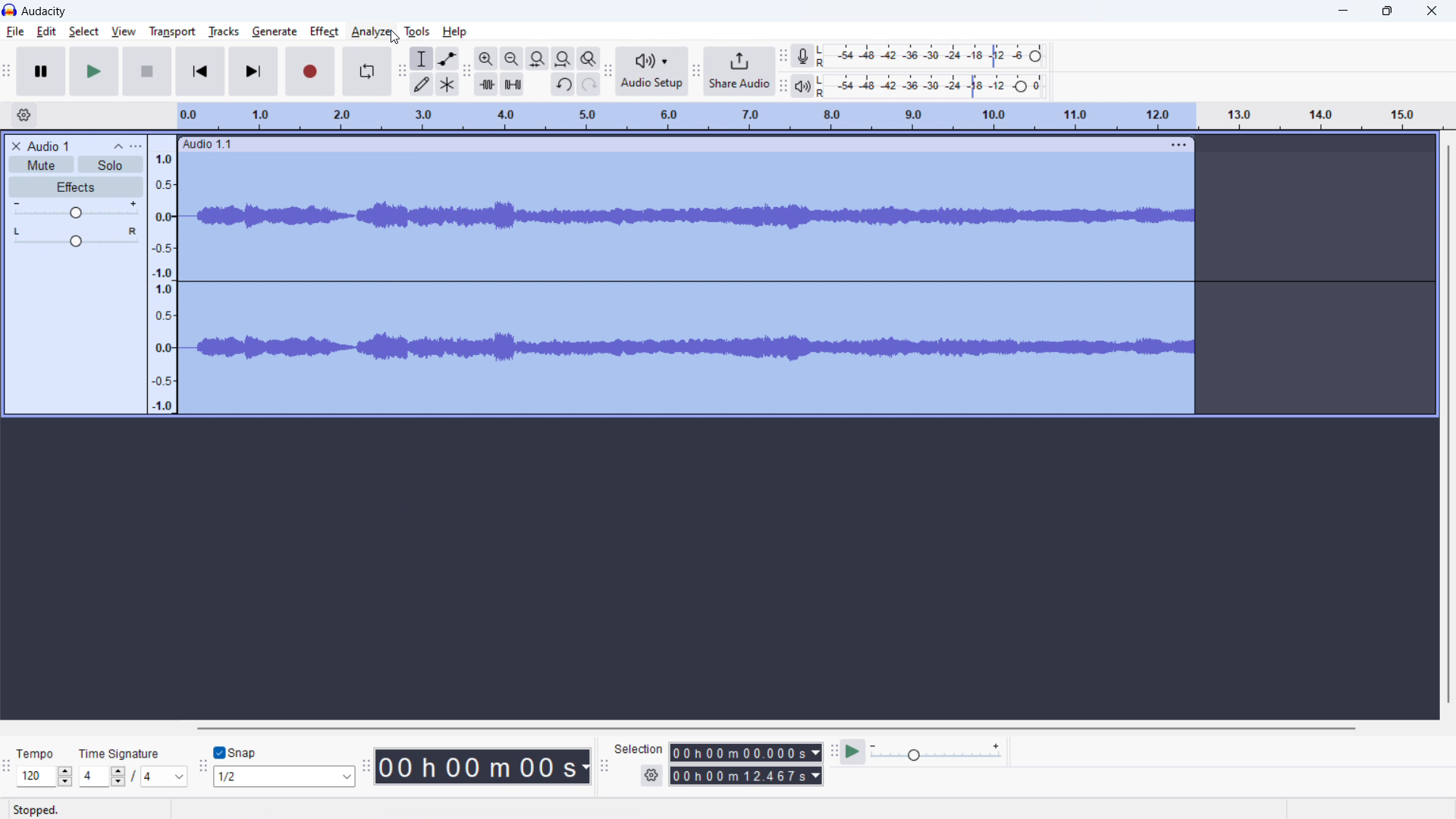 The width and height of the screenshot is (1456, 819). What do you see at coordinates (1341, 11) in the screenshot?
I see `minimize` at bounding box center [1341, 11].